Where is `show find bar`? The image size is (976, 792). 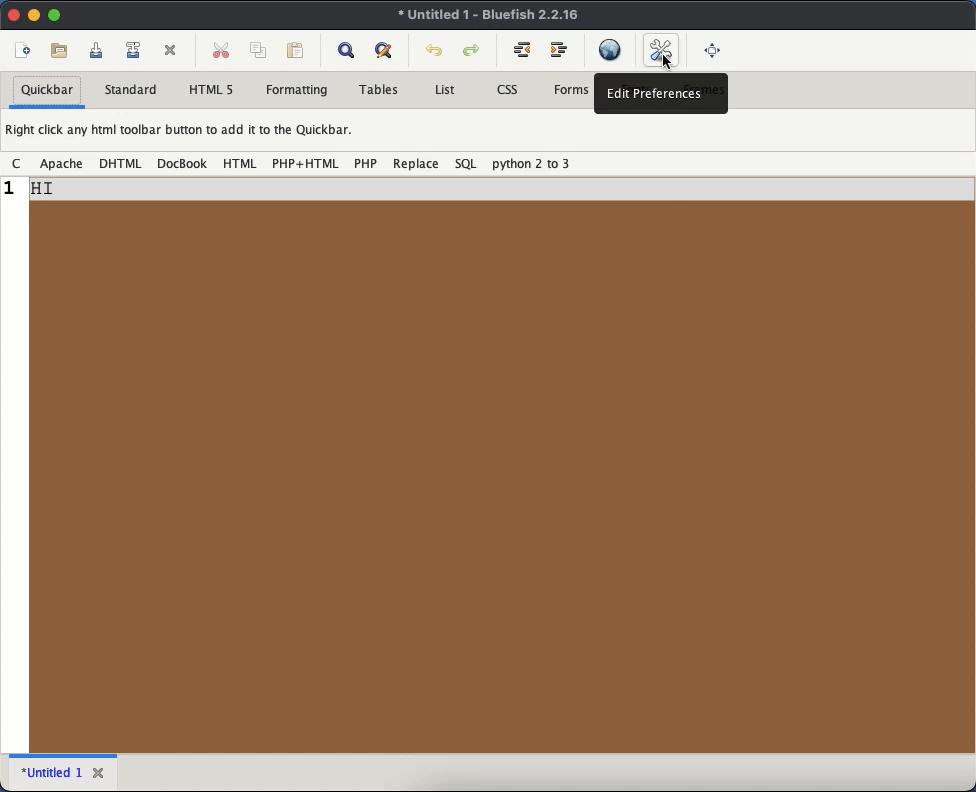 show find bar is located at coordinates (348, 51).